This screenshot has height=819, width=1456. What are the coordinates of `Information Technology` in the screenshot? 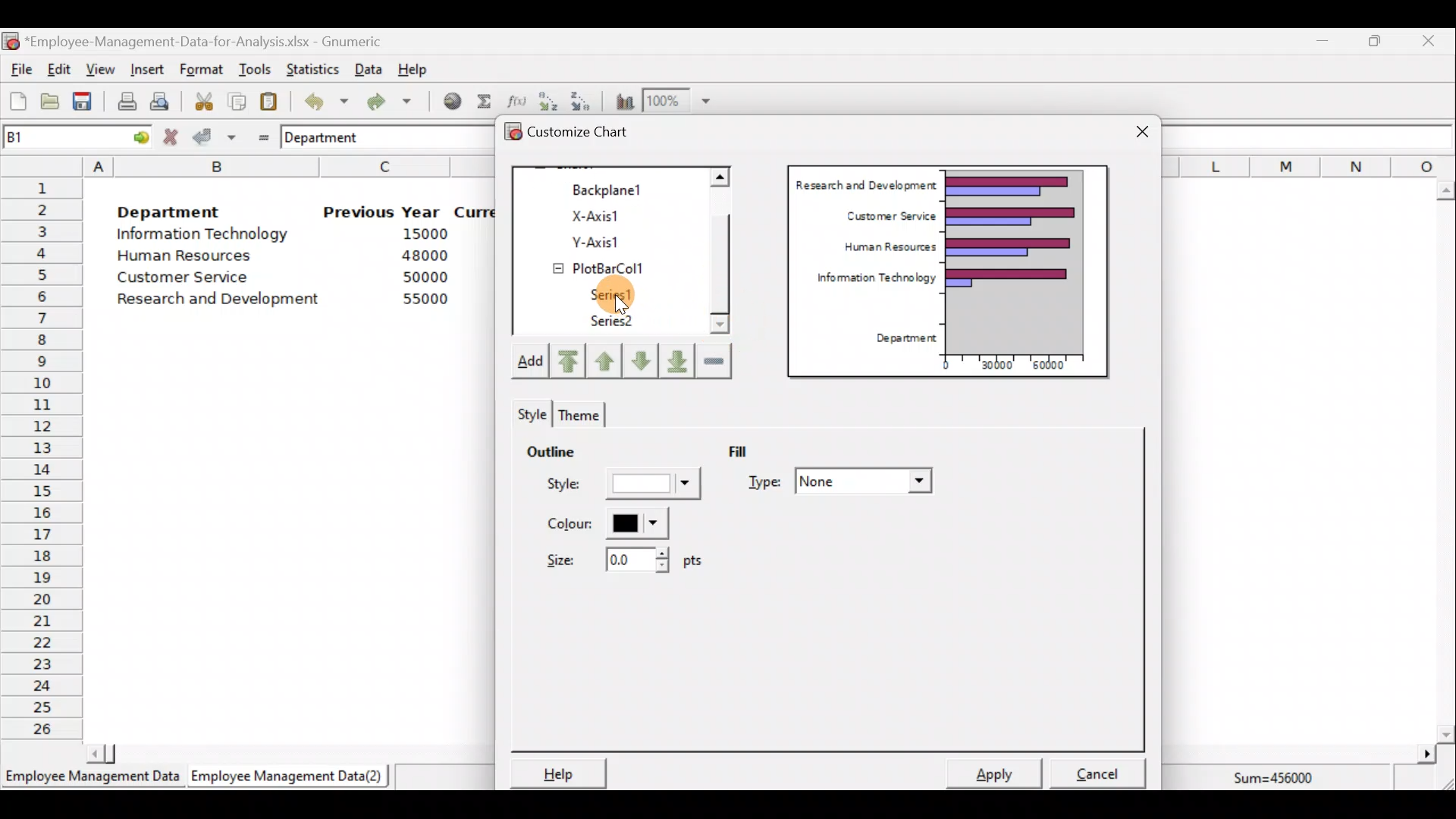 It's located at (205, 234).